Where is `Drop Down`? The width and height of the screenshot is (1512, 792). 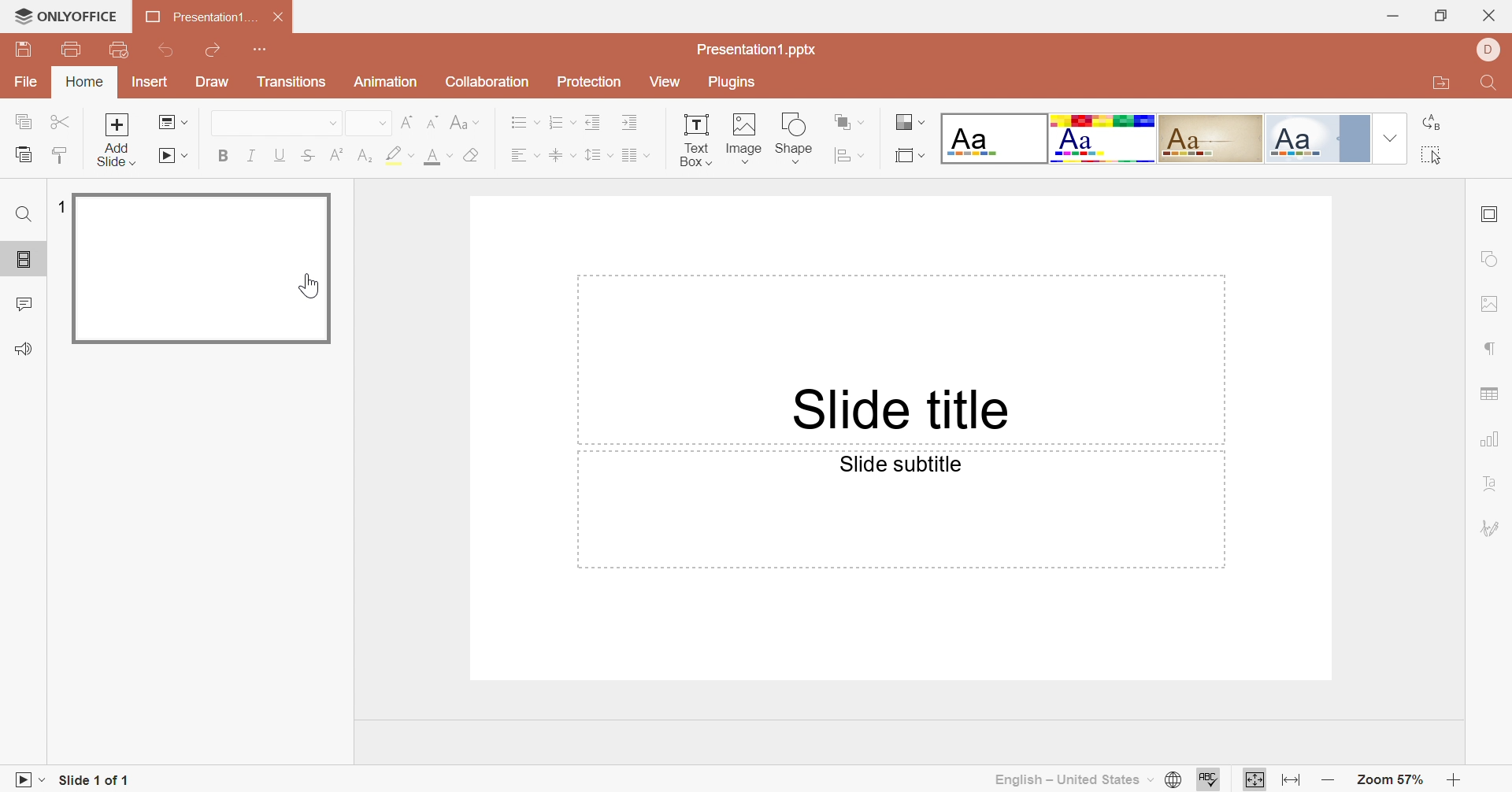
Drop Down is located at coordinates (863, 120).